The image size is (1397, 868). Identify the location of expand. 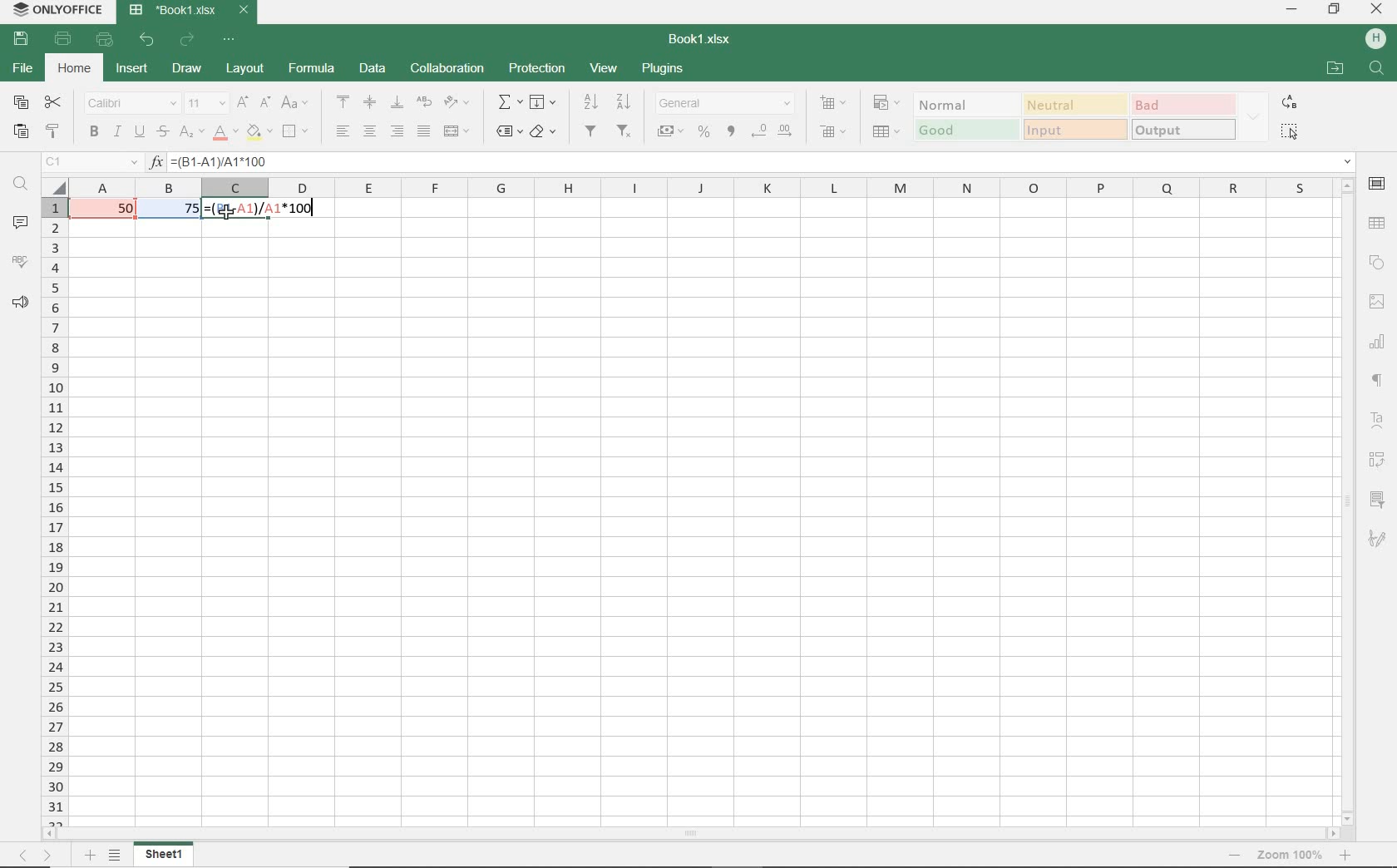
(1253, 116).